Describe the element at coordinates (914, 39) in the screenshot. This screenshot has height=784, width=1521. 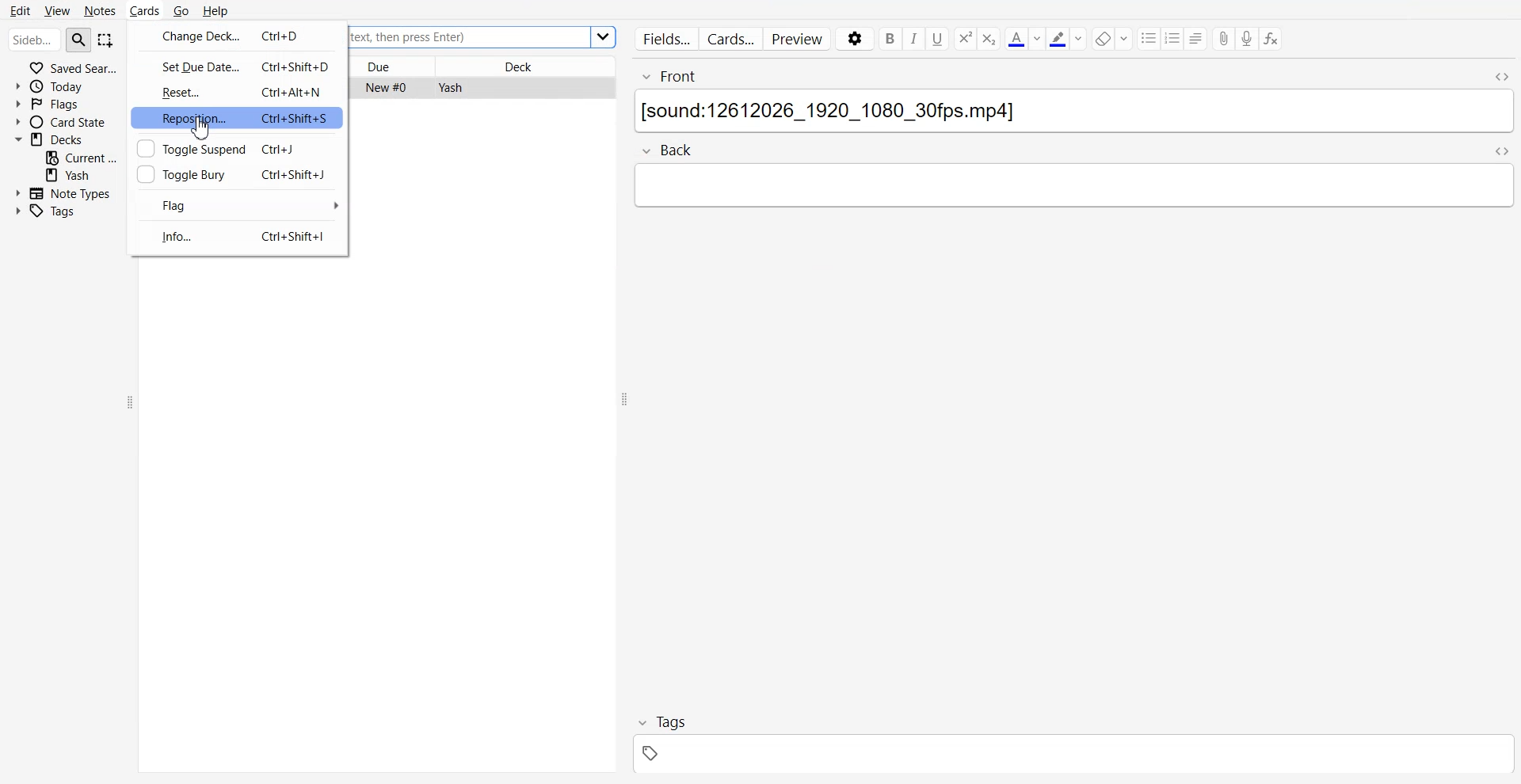
I see `Italic` at that location.